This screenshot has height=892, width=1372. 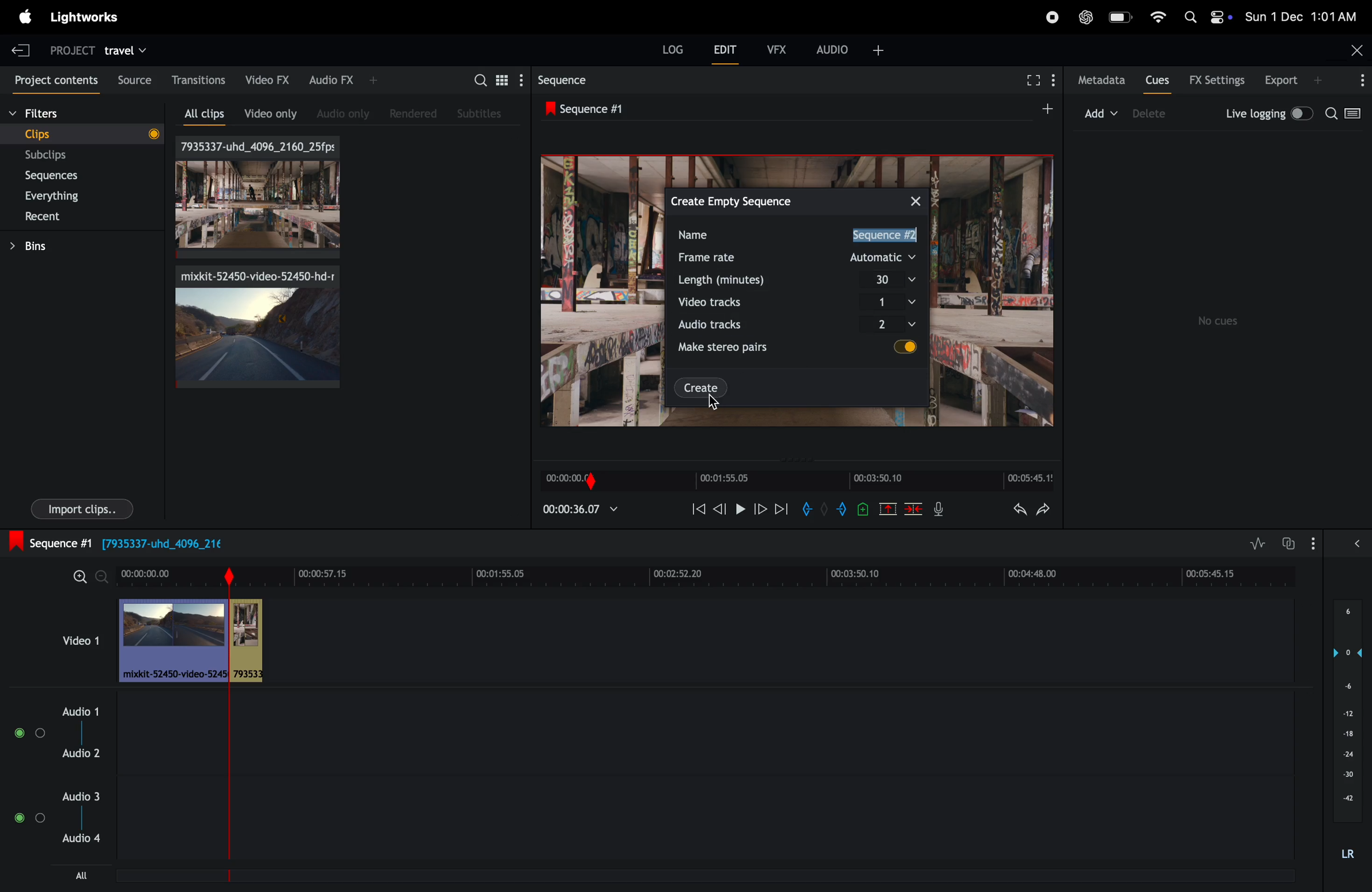 I want to click on Audio 4, so click(x=84, y=841).